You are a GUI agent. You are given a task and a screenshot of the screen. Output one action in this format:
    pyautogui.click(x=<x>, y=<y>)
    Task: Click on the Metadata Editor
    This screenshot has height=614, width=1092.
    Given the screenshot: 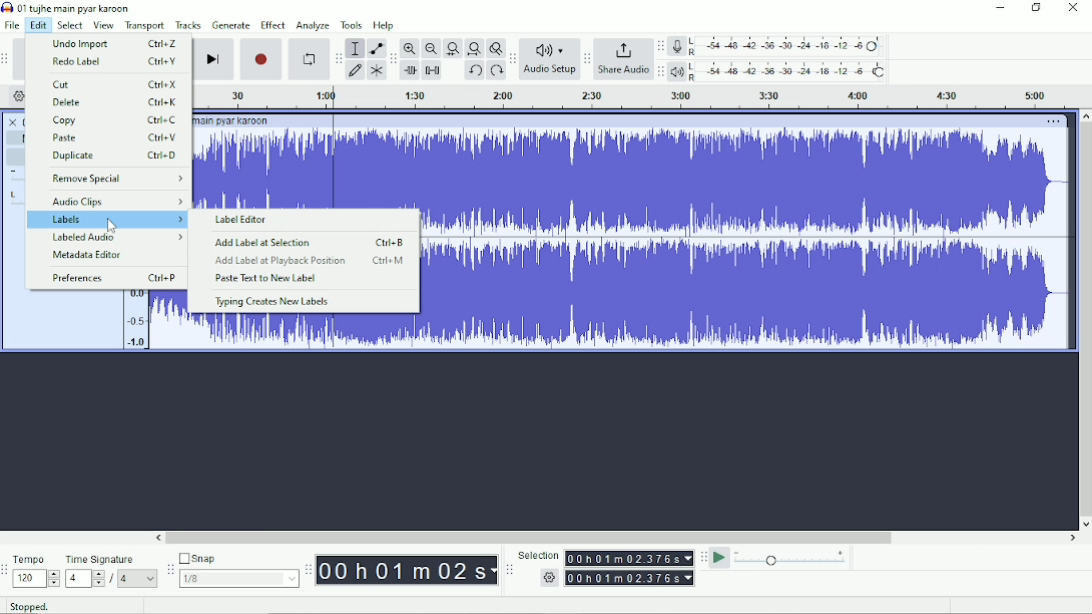 What is the action you would take?
    pyautogui.click(x=90, y=256)
    